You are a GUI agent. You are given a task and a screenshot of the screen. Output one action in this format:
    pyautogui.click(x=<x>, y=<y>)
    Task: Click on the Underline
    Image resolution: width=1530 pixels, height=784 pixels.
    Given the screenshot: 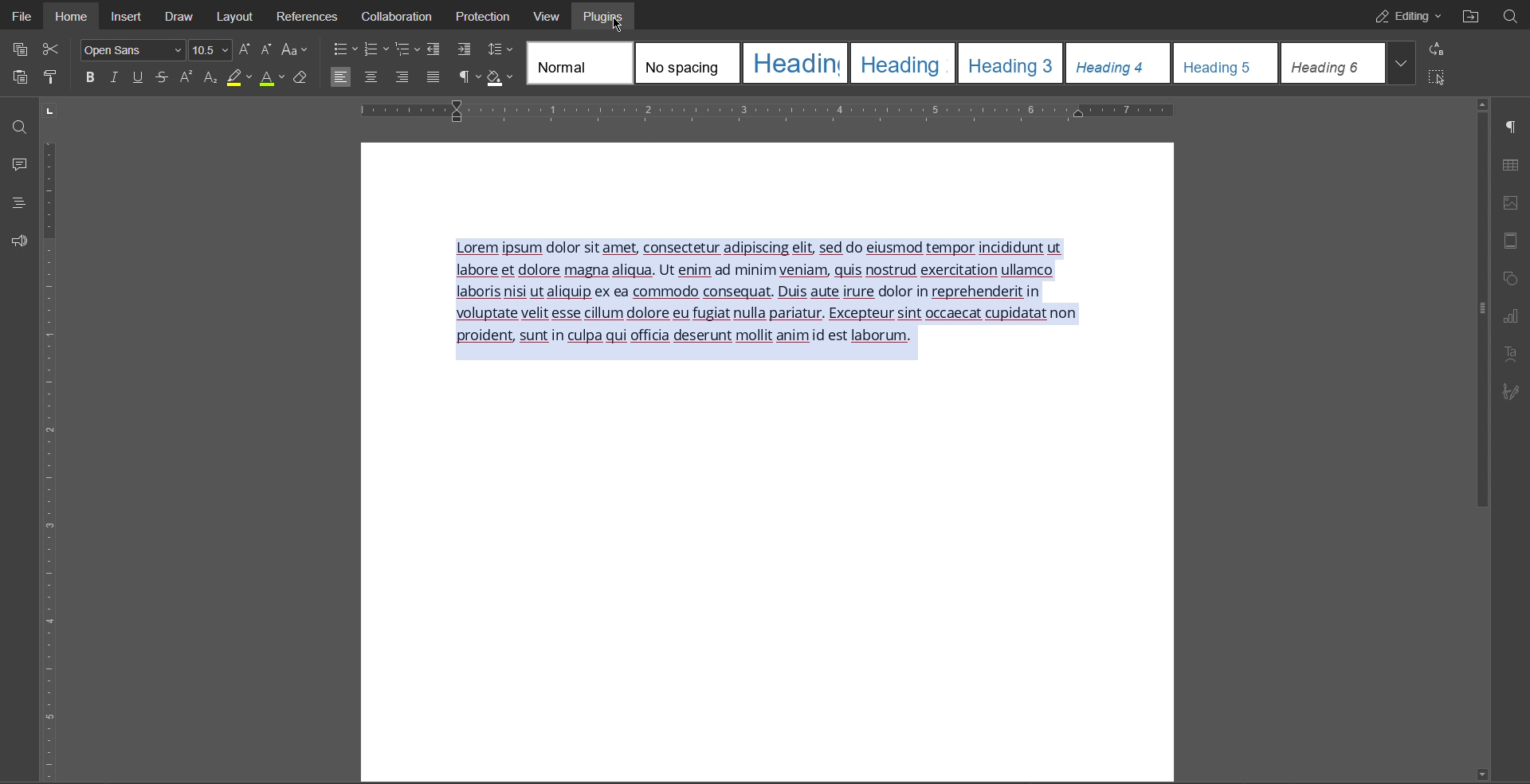 What is the action you would take?
    pyautogui.click(x=138, y=77)
    